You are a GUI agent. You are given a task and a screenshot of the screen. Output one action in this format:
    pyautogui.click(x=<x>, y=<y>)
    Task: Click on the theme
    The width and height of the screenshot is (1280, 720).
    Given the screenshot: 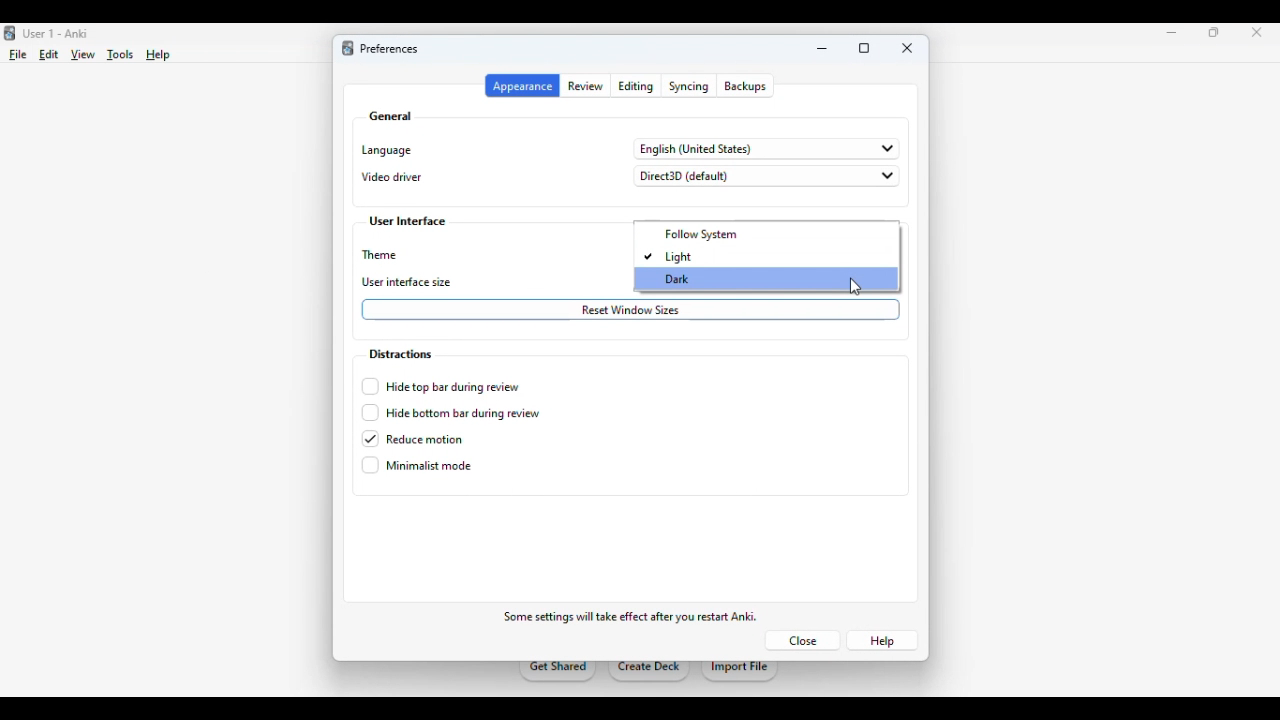 What is the action you would take?
    pyautogui.click(x=382, y=255)
    